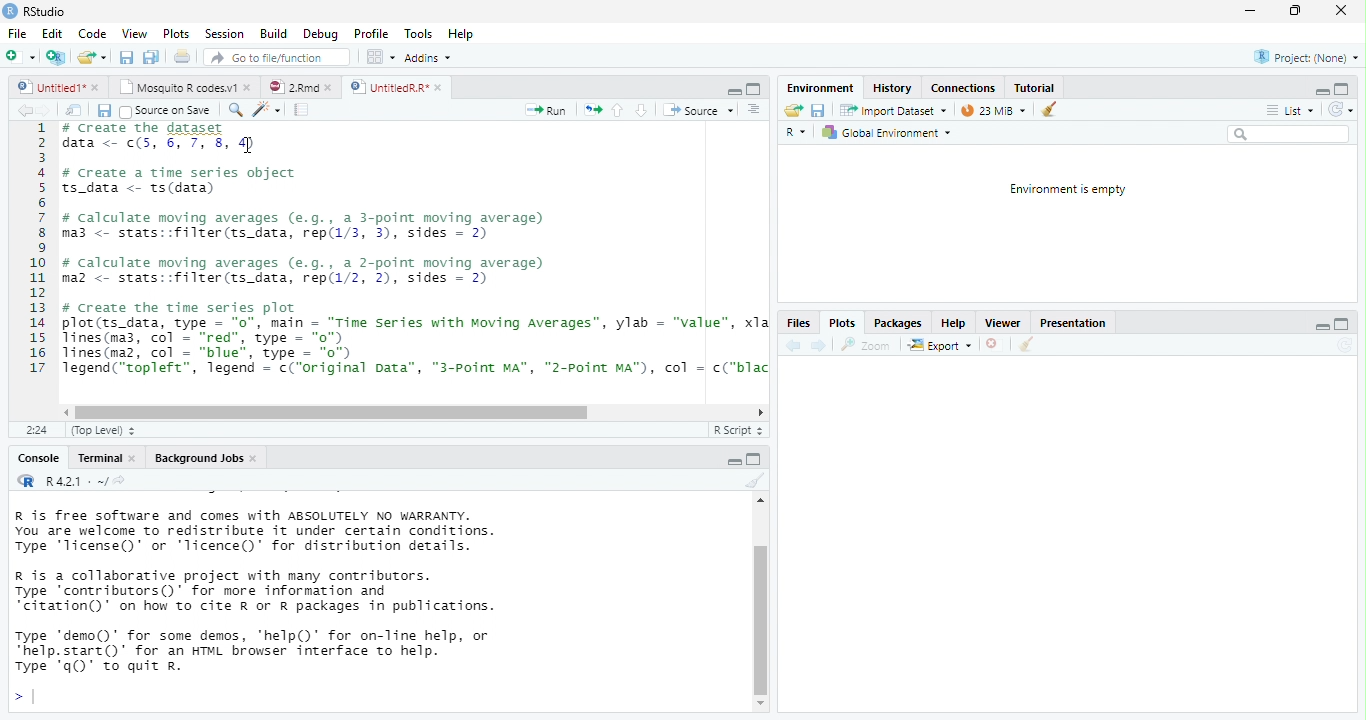 This screenshot has width=1366, height=720. I want to click on 2:24, so click(37, 431).